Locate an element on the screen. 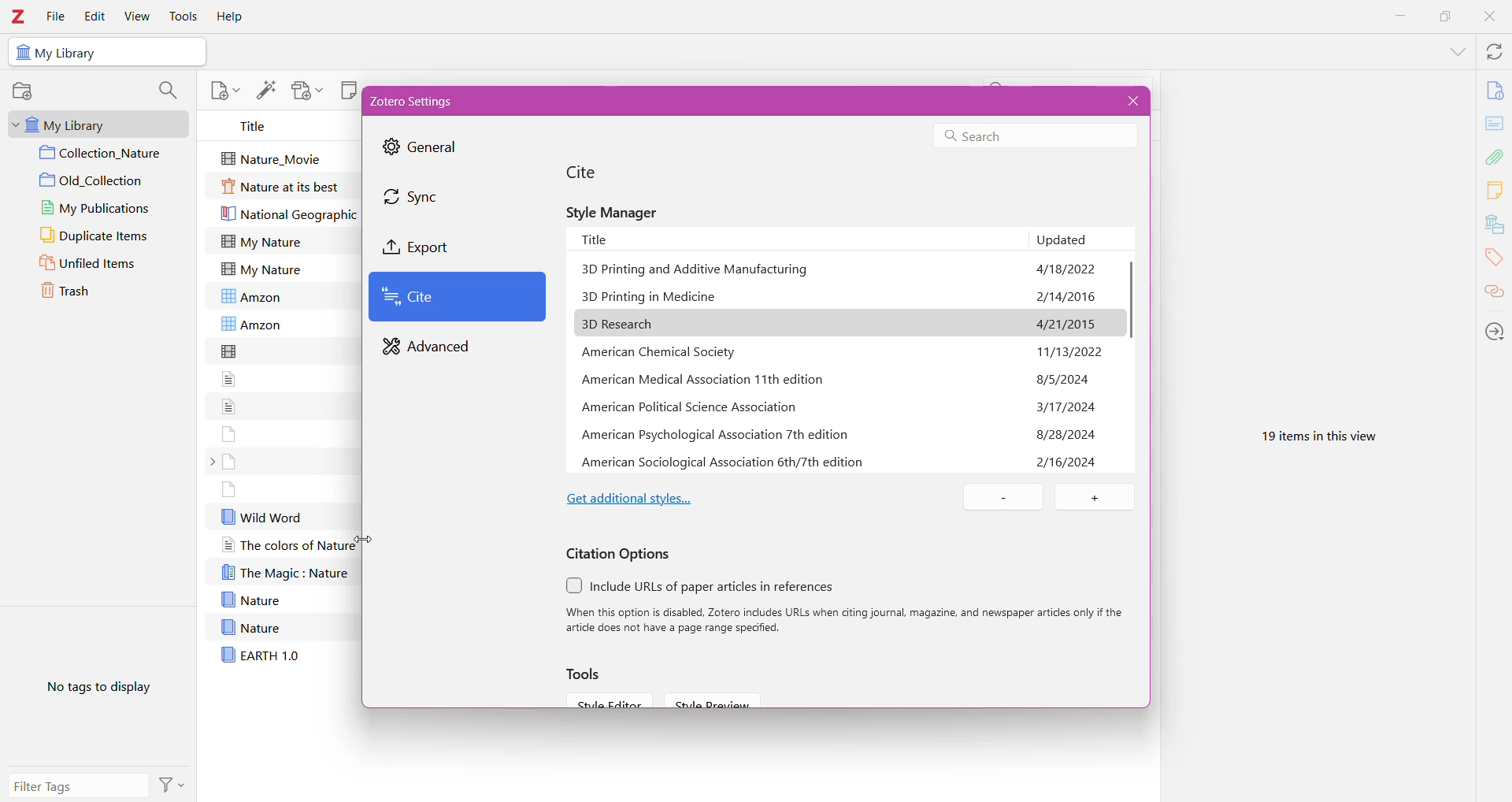 The height and width of the screenshot is (802, 1512). Locate is located at coordinates (1494, 330).